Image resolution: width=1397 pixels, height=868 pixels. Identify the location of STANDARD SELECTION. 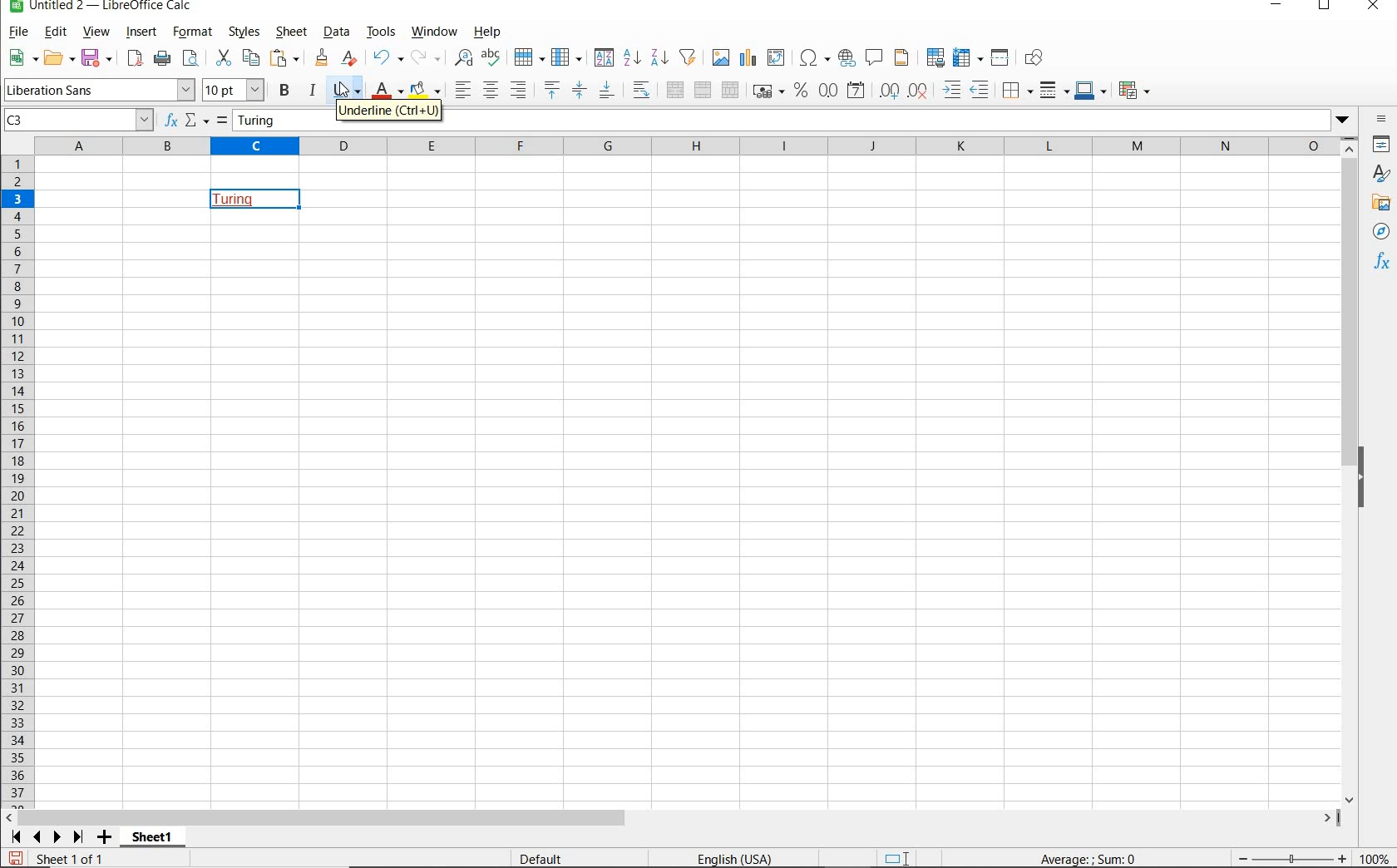
(896, 859).